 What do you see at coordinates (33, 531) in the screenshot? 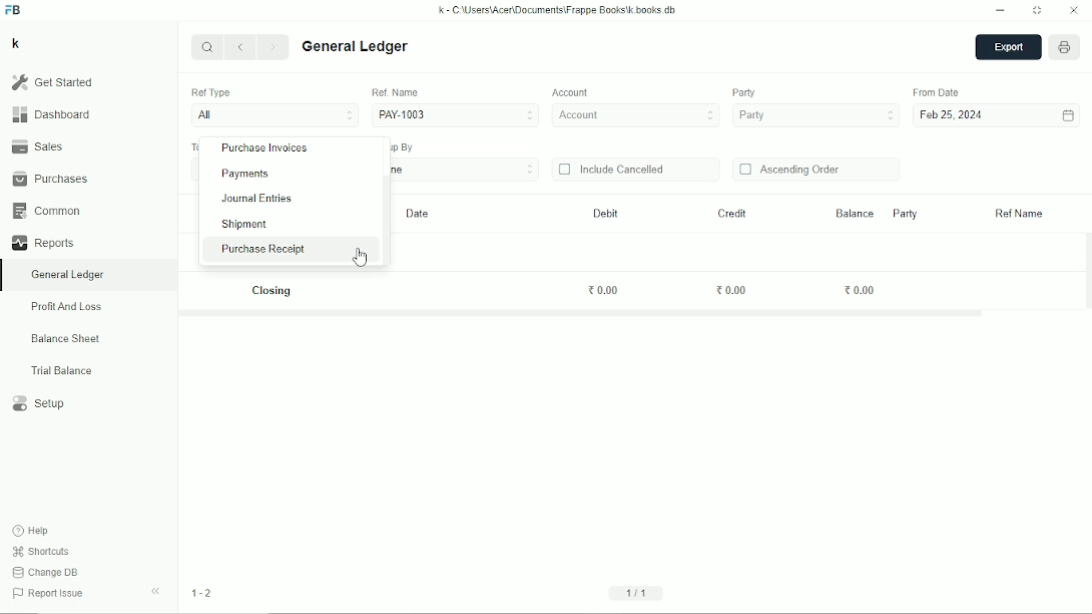
I see `Help` at bounding box center [33, 531].